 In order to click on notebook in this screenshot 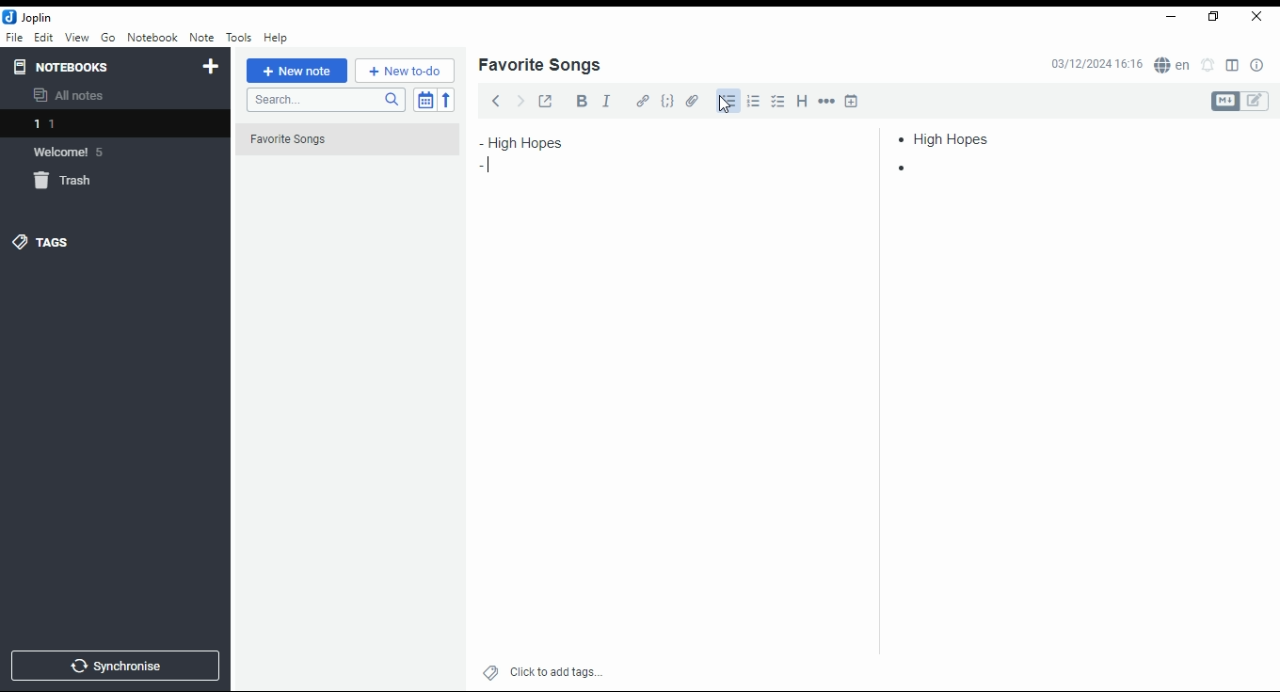, I will do `click(152, 37)`.